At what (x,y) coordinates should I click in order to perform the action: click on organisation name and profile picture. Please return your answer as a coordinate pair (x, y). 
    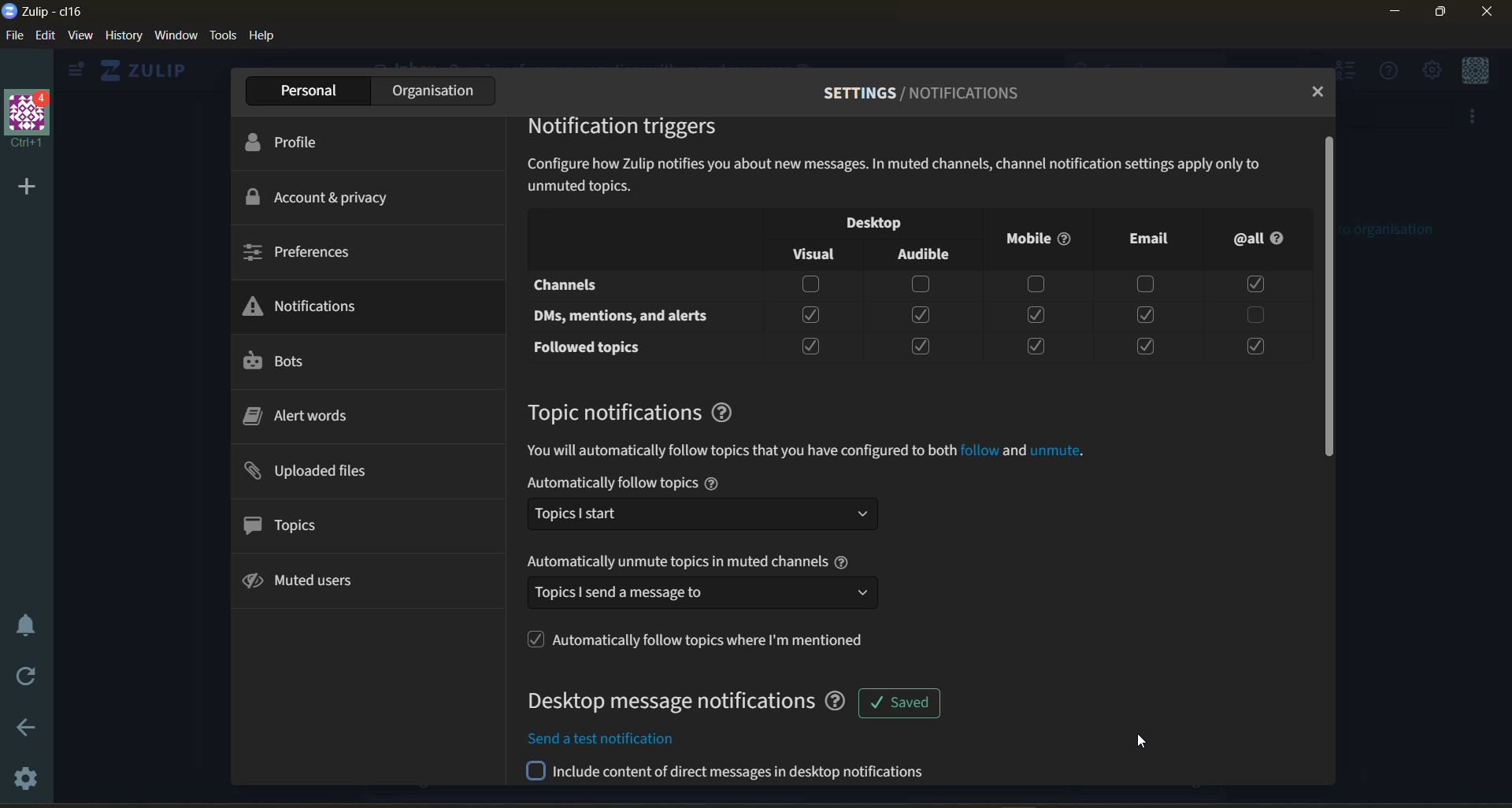
    Looking at the image, I should click on (27, 120).